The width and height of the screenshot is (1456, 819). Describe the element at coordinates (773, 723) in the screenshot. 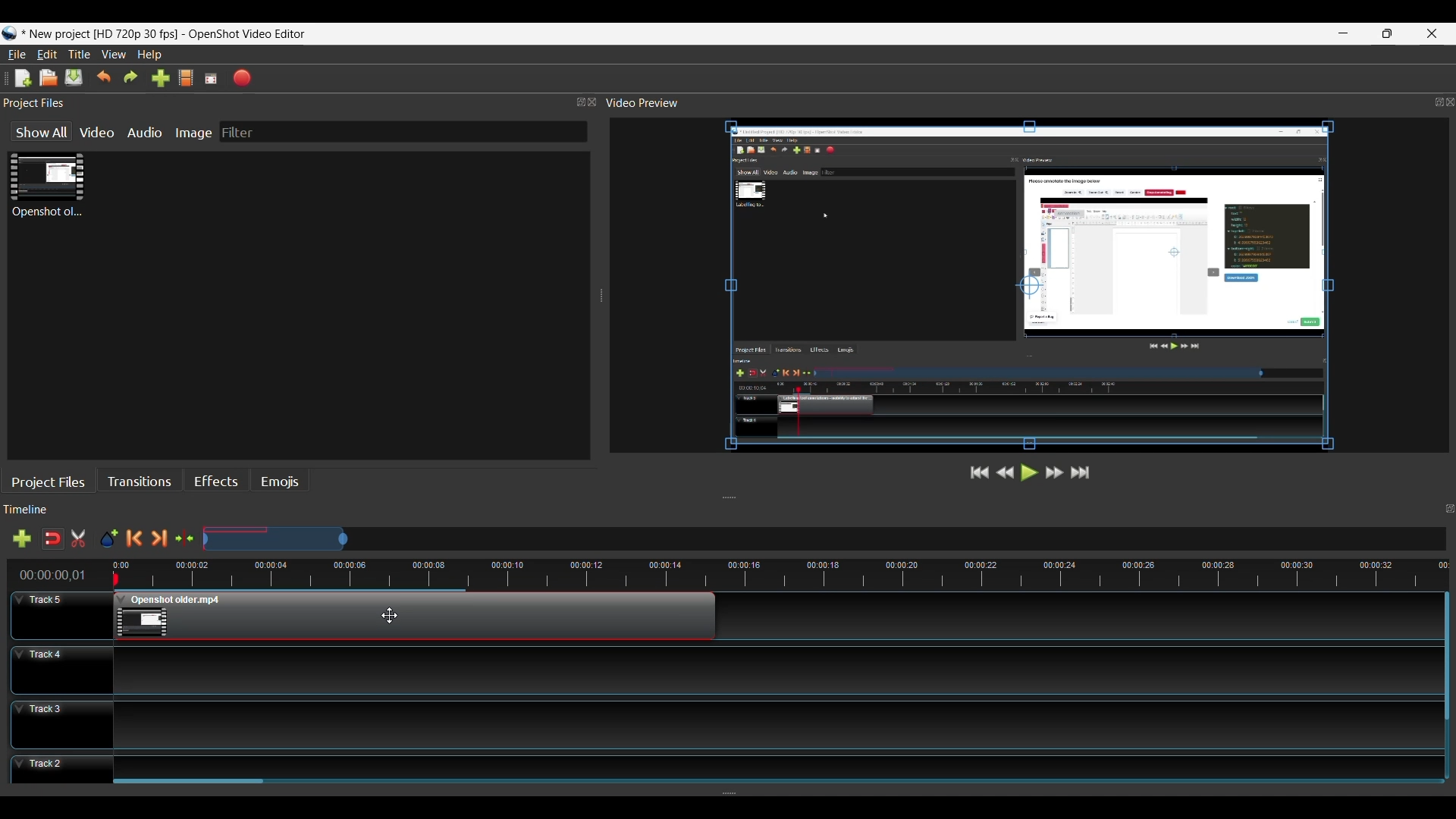

I see `Track Panel` at that location.